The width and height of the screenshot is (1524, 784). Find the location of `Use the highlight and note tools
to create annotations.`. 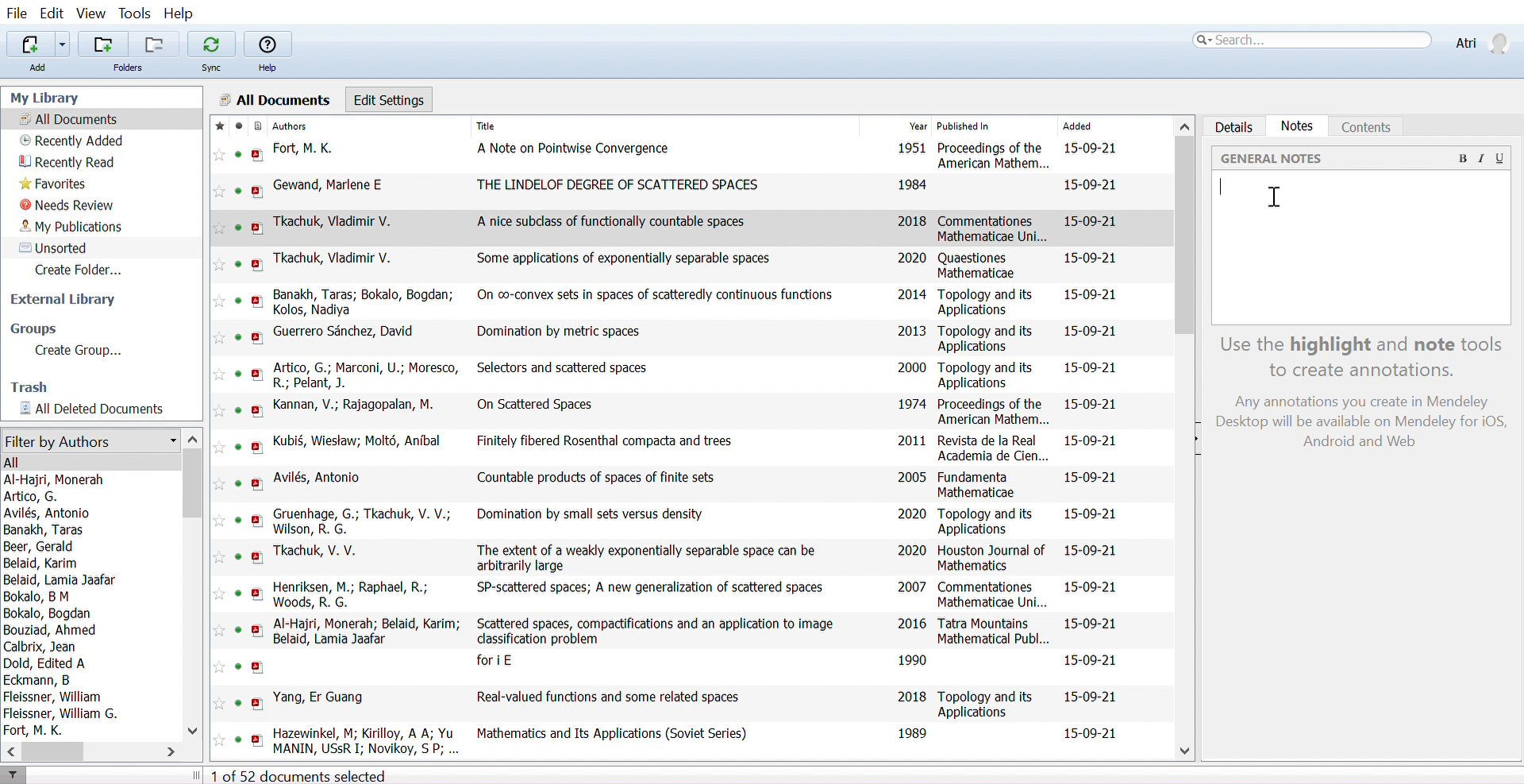

Use the highlight and note tools
to create annotations. is located at coordinates (1364, 358).